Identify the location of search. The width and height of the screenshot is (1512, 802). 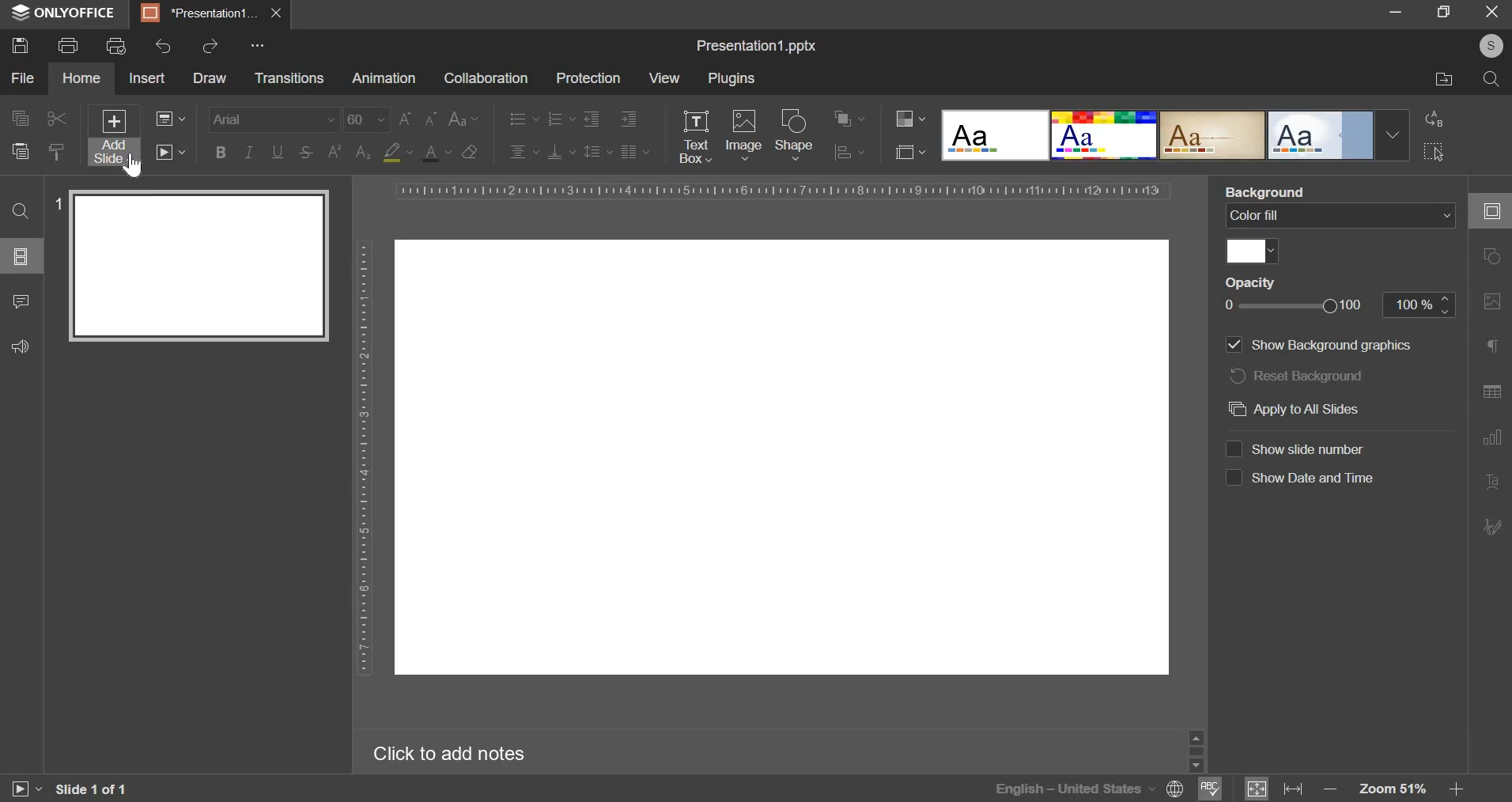
(1491, 79).